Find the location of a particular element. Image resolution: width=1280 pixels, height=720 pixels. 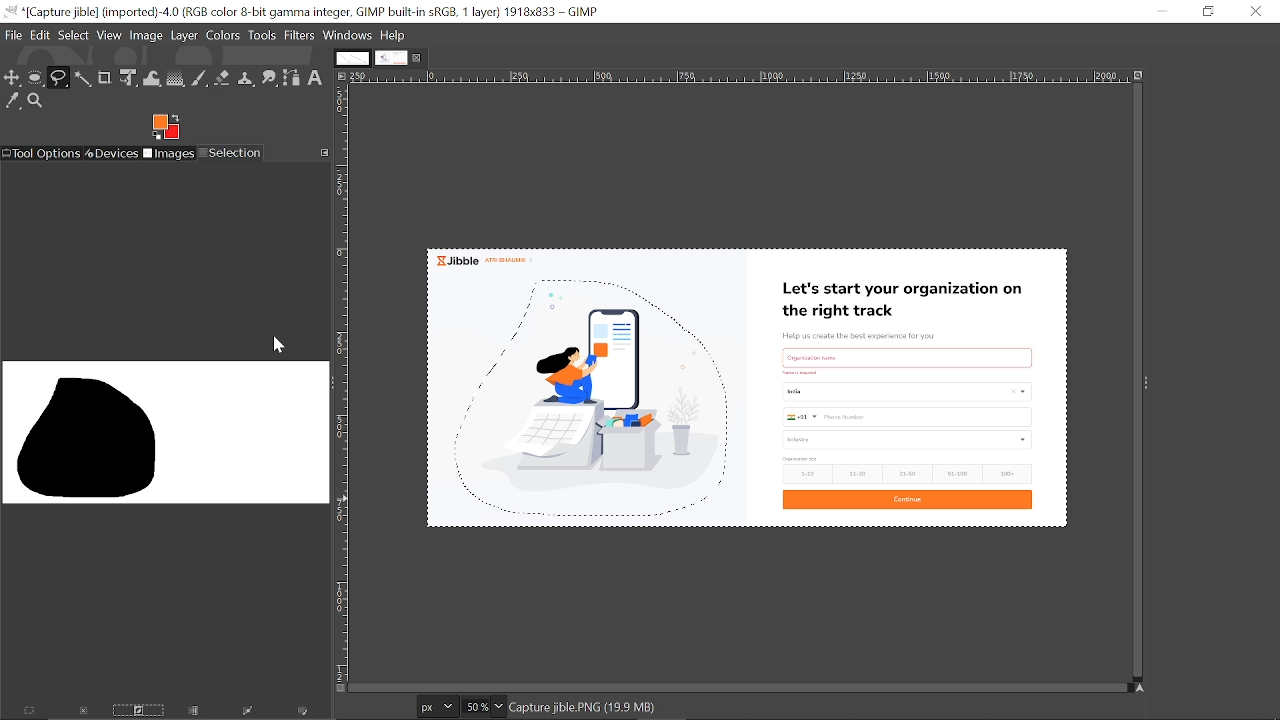

click-drag adds a free segment. click adds a plygonal segments is located at coordinates (694, 706).